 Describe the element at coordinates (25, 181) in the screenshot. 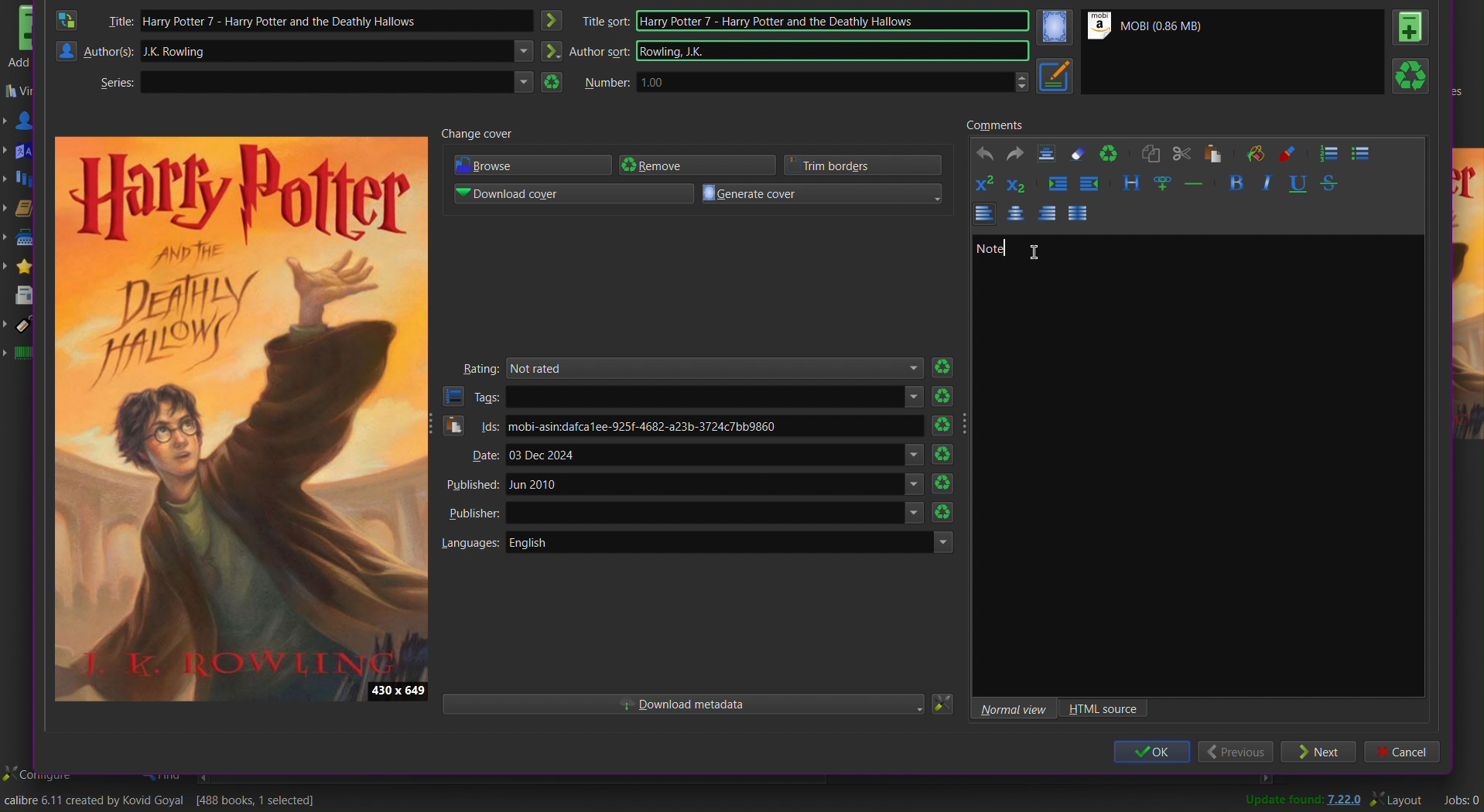

I see `Series` at that location.